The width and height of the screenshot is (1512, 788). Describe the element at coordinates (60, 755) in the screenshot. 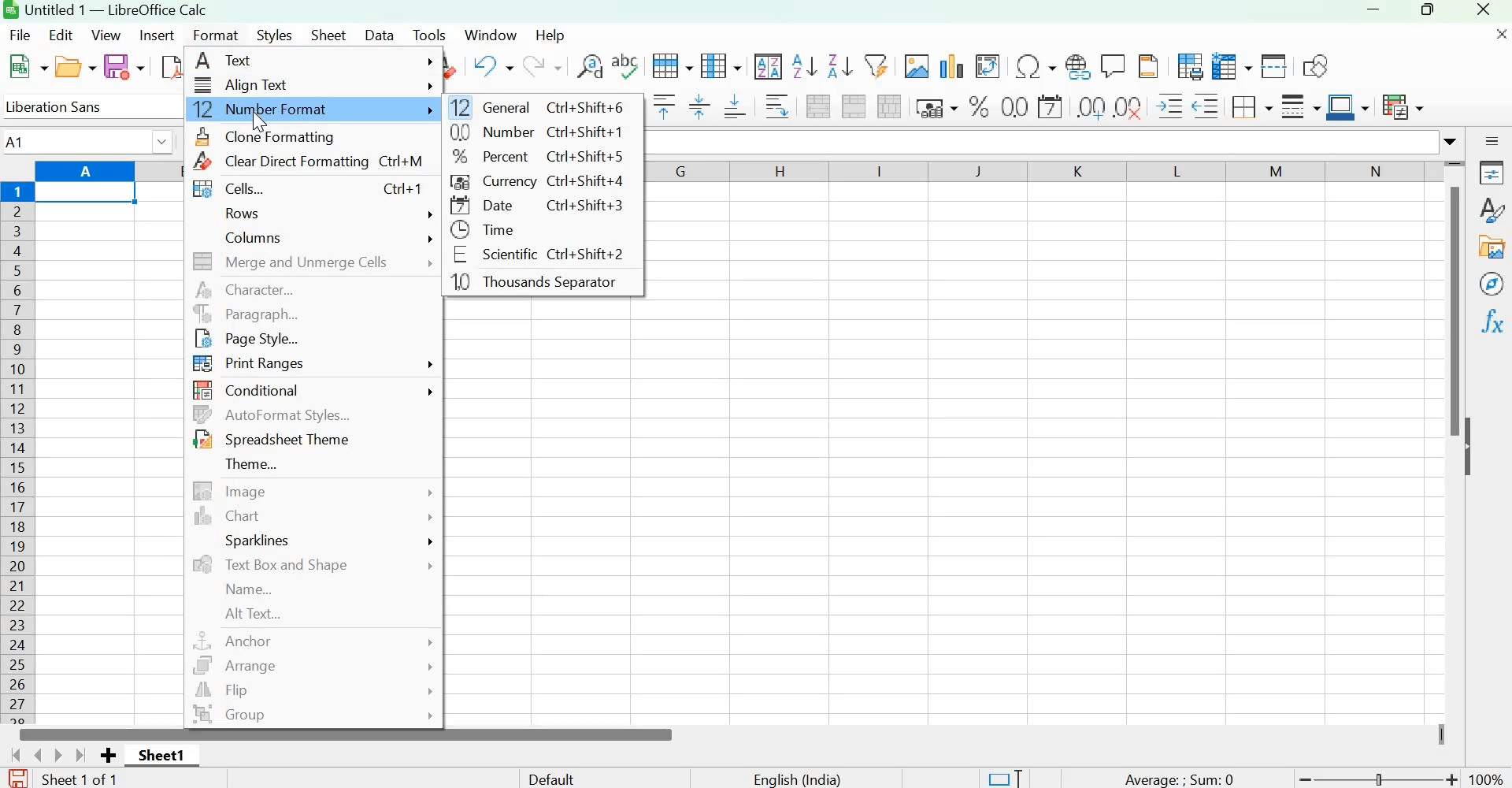

I see `Scroll to next sheet` at that location.